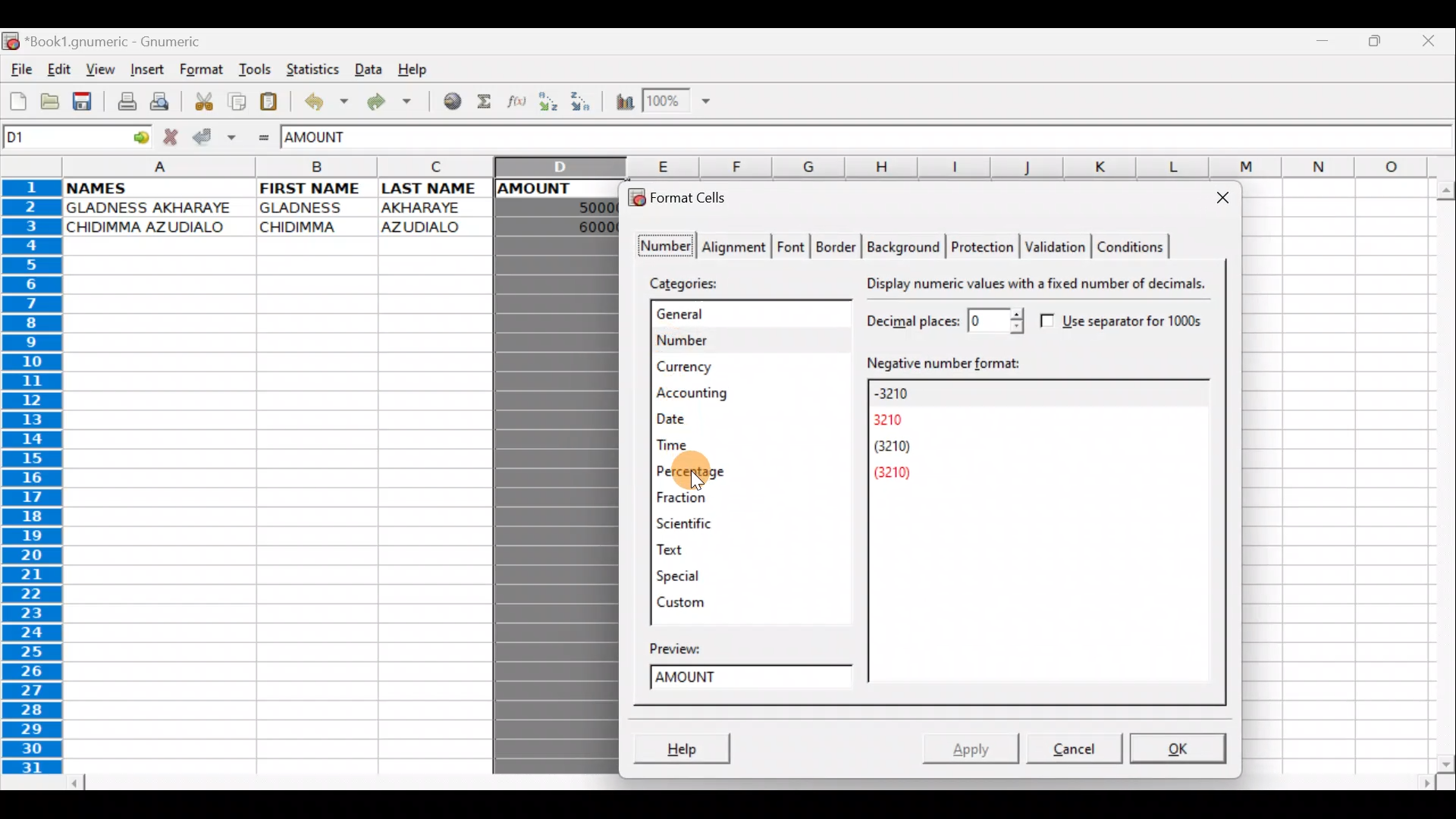 The image size is (1456, 819). Describe the element at coordinates (585, 227) in the screenshot. I see `60000` at that location.